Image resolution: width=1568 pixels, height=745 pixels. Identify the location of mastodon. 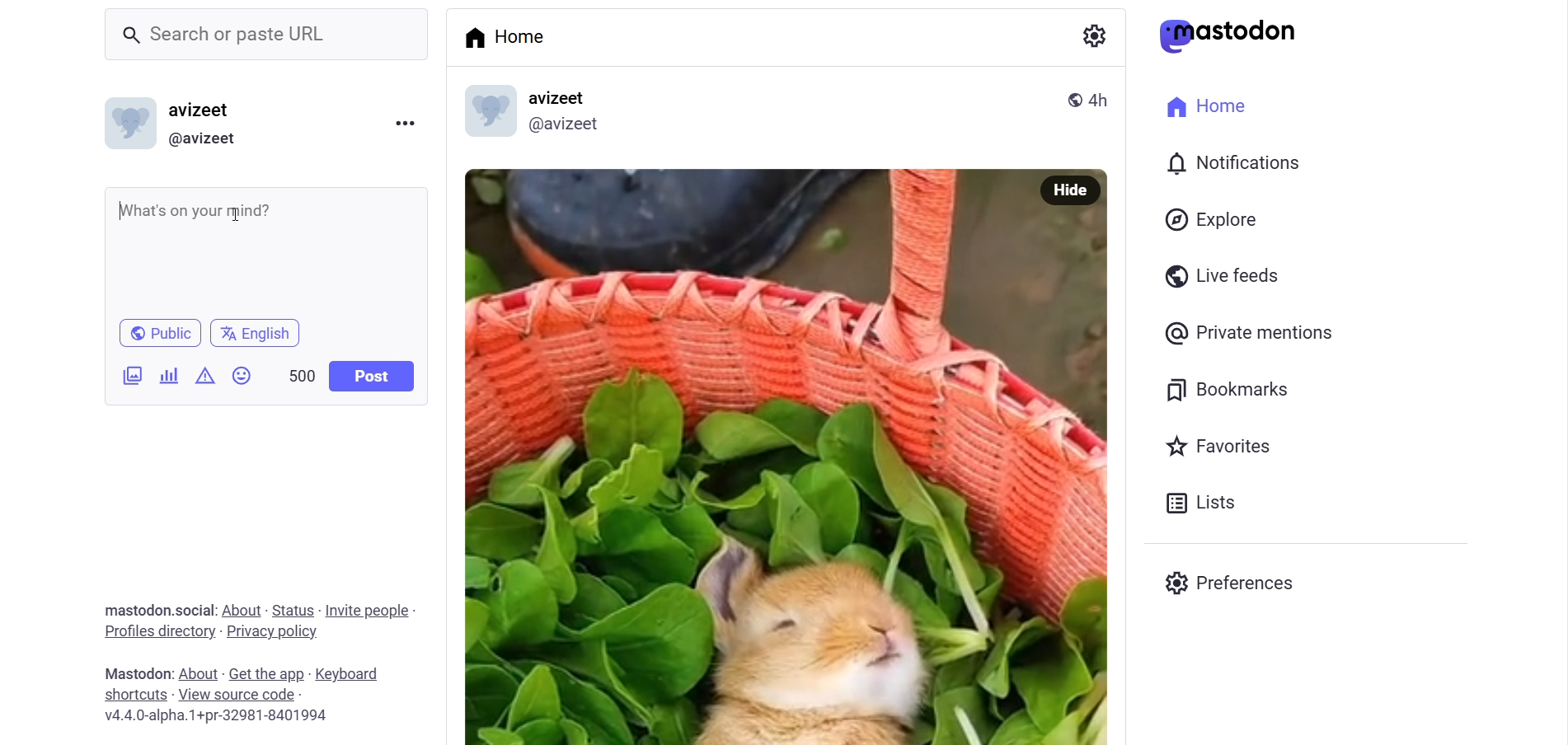
(135, 673).